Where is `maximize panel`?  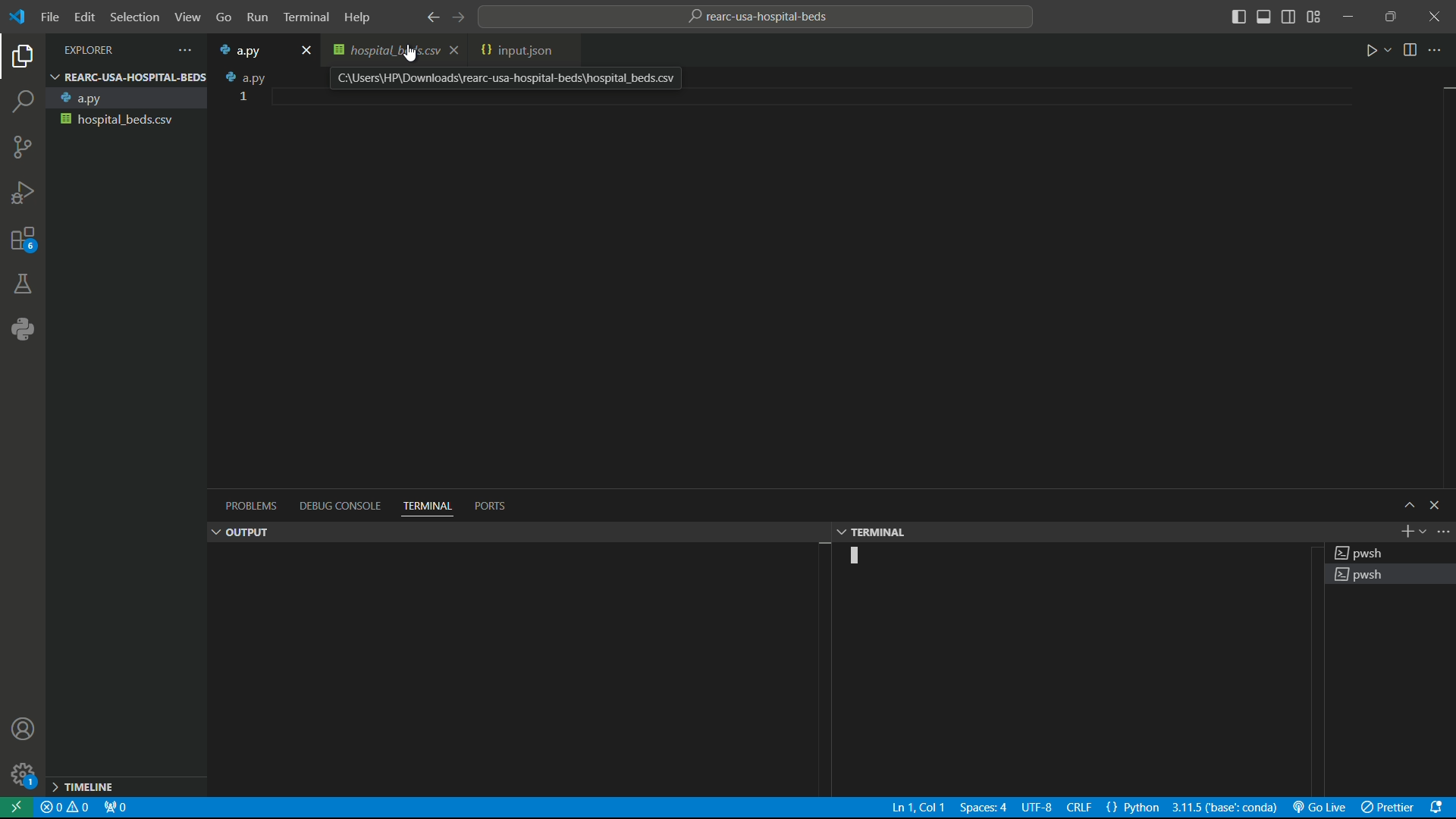 maximize panel is located at coordinates (1407, 507).